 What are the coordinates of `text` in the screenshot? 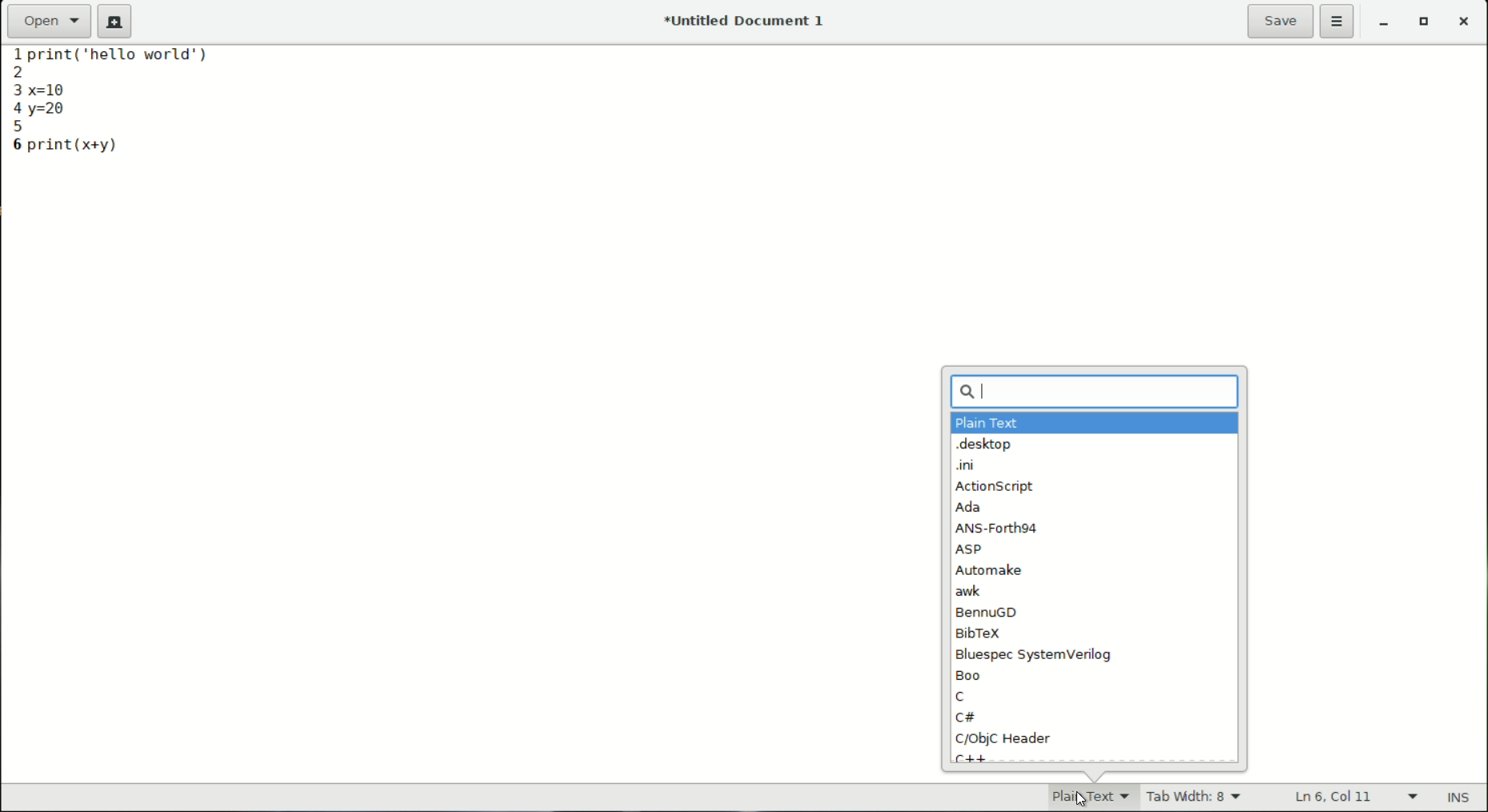 It's located at (131, 60).